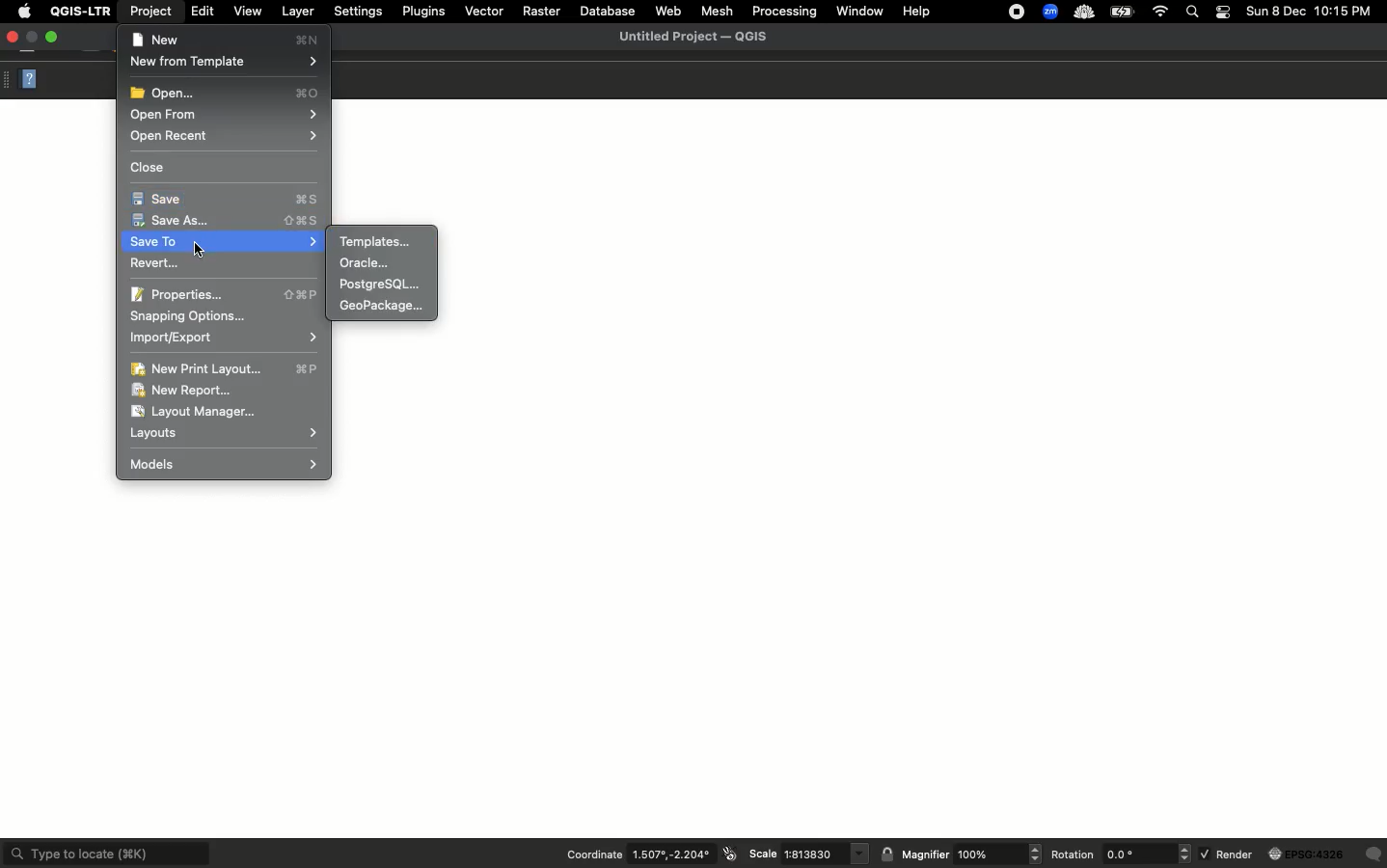 The width and height of the screenshot is (1387, 868). I want to click on New report, so click(187, 392).